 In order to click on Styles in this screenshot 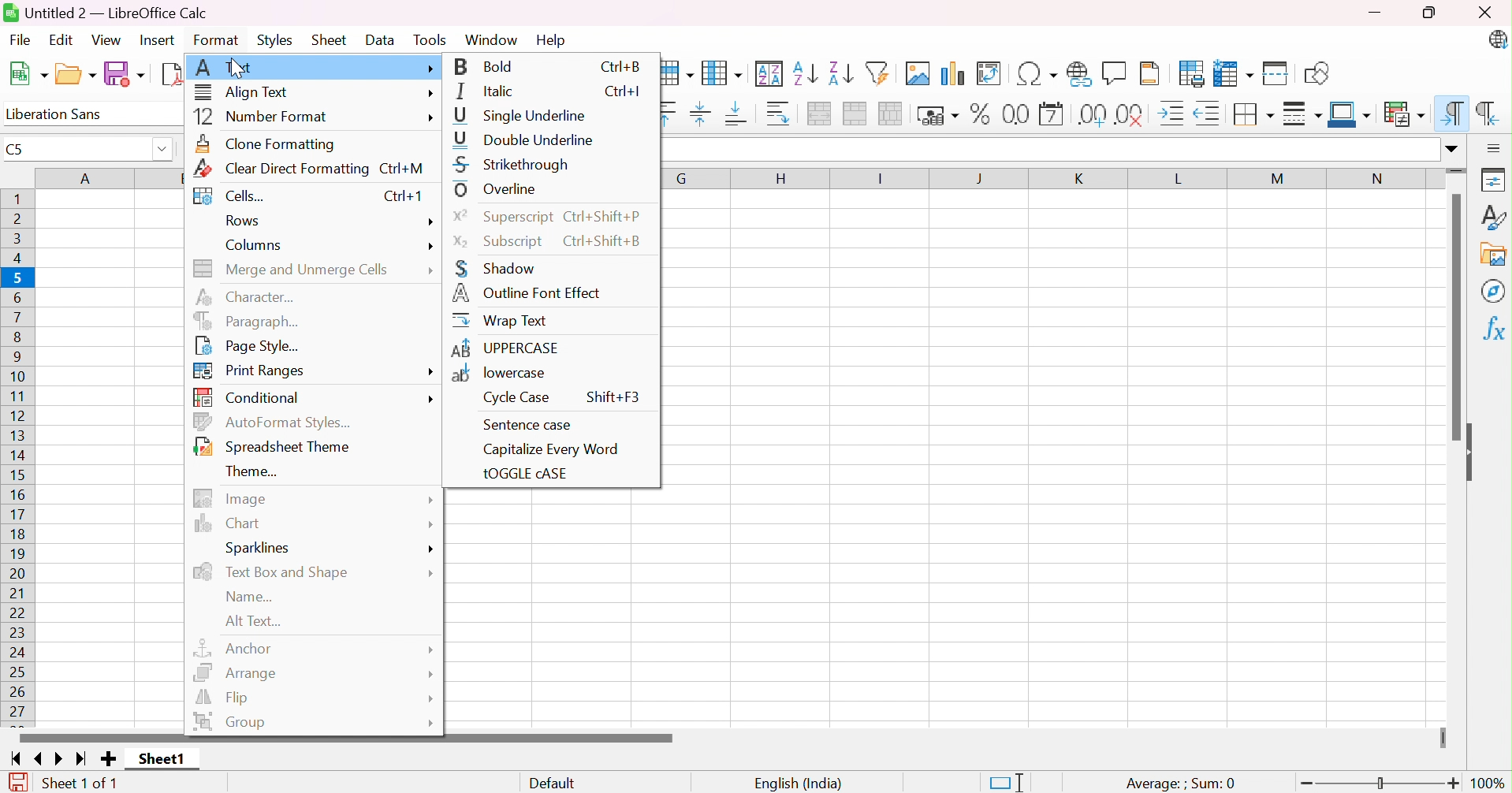, I will do `click(1495, 217)`.